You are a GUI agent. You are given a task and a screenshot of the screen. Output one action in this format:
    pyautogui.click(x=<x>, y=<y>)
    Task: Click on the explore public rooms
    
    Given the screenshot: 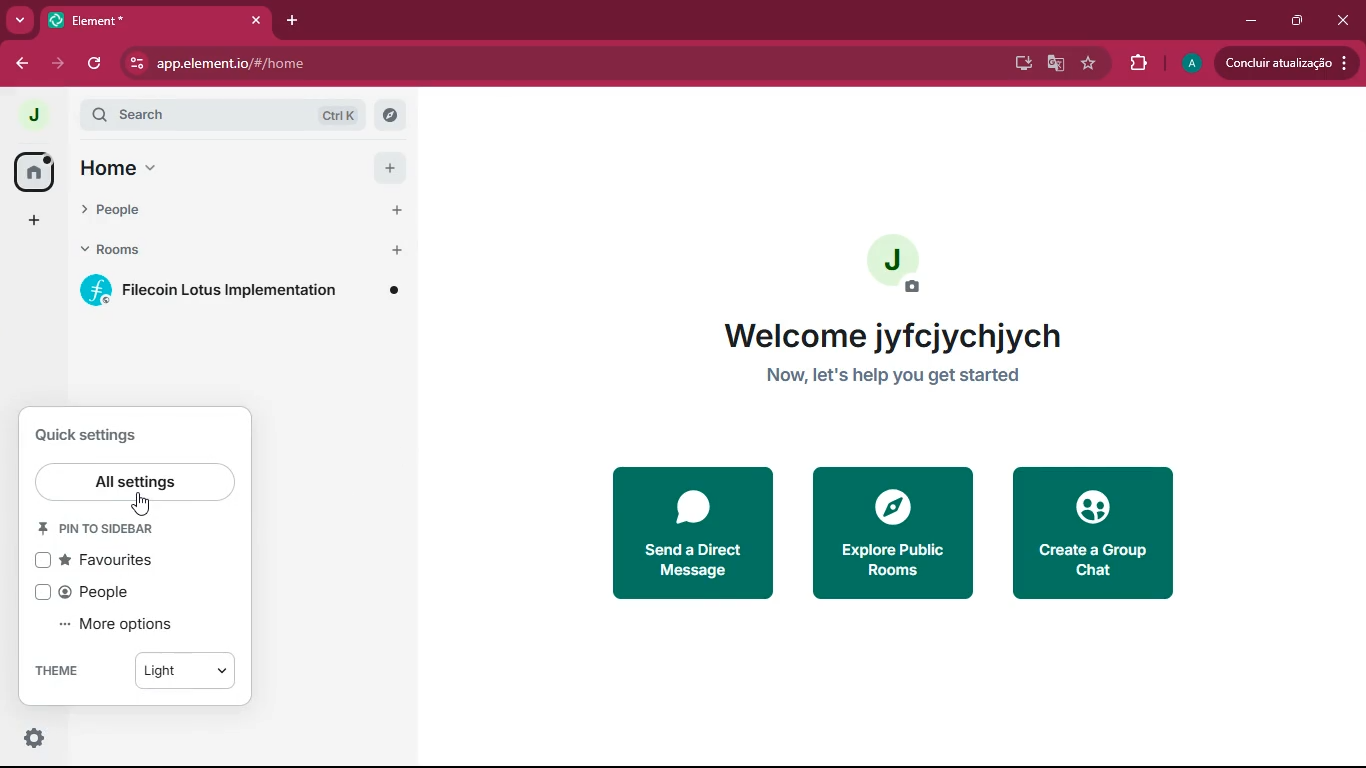 What is the action you would take?
    pyautogui.click(x=894, y=534)
    